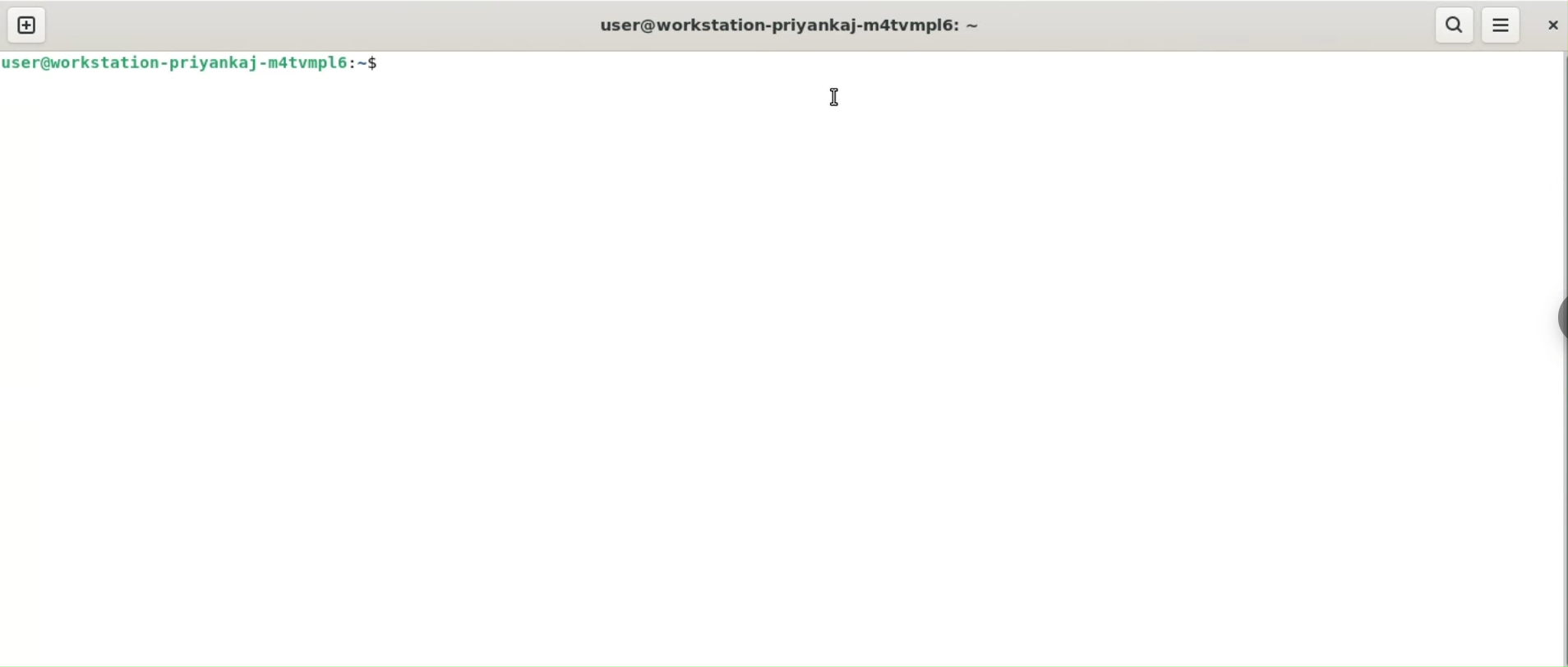 This screenshot has width=1568, height=667. What do you see at coordinates (836, 97) in the screenshot?
I see `cursor` at bounding box center [836, 97].